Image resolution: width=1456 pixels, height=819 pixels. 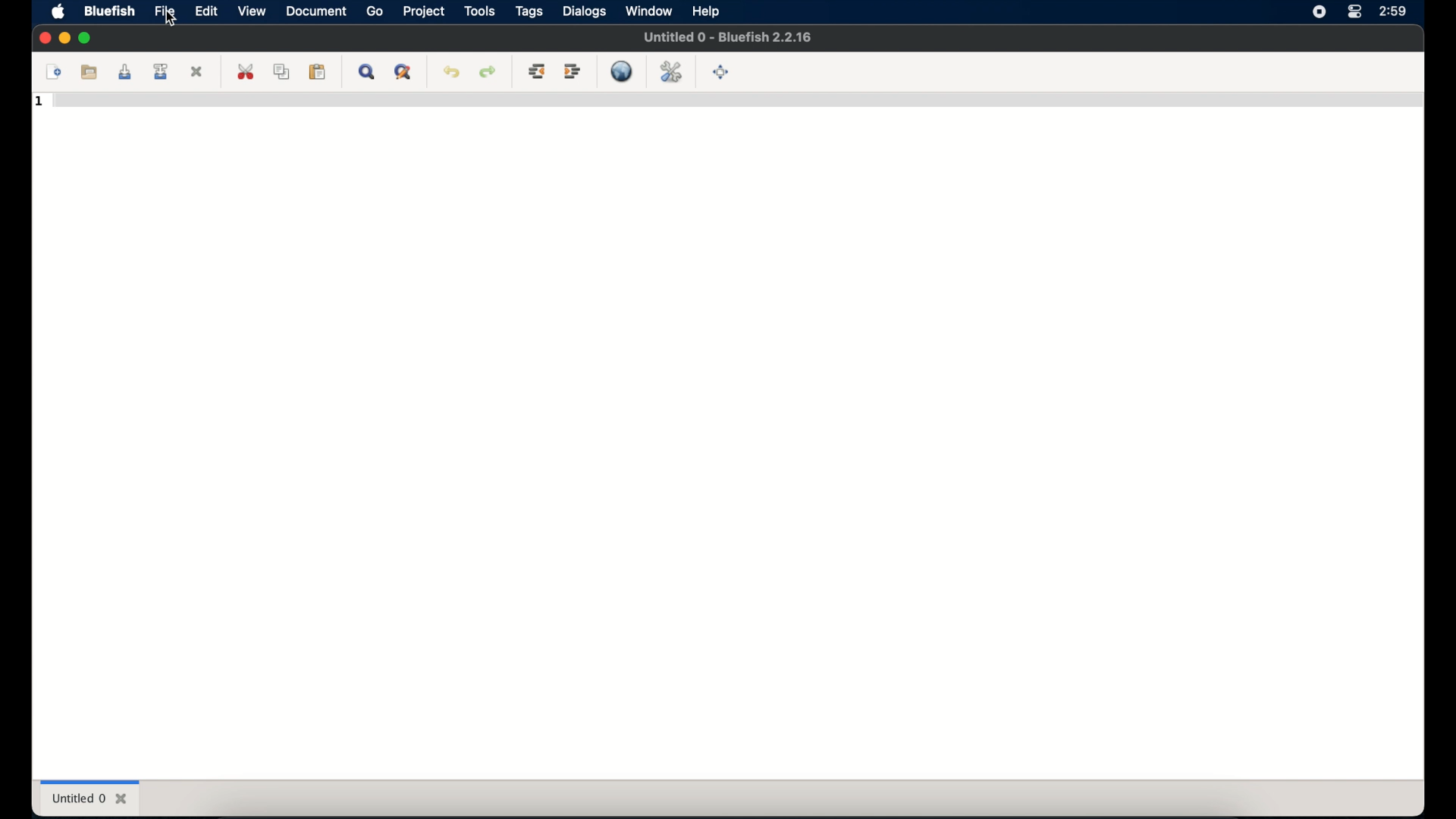 I want to click on advanced find and replace, so click(x=404, y=73).